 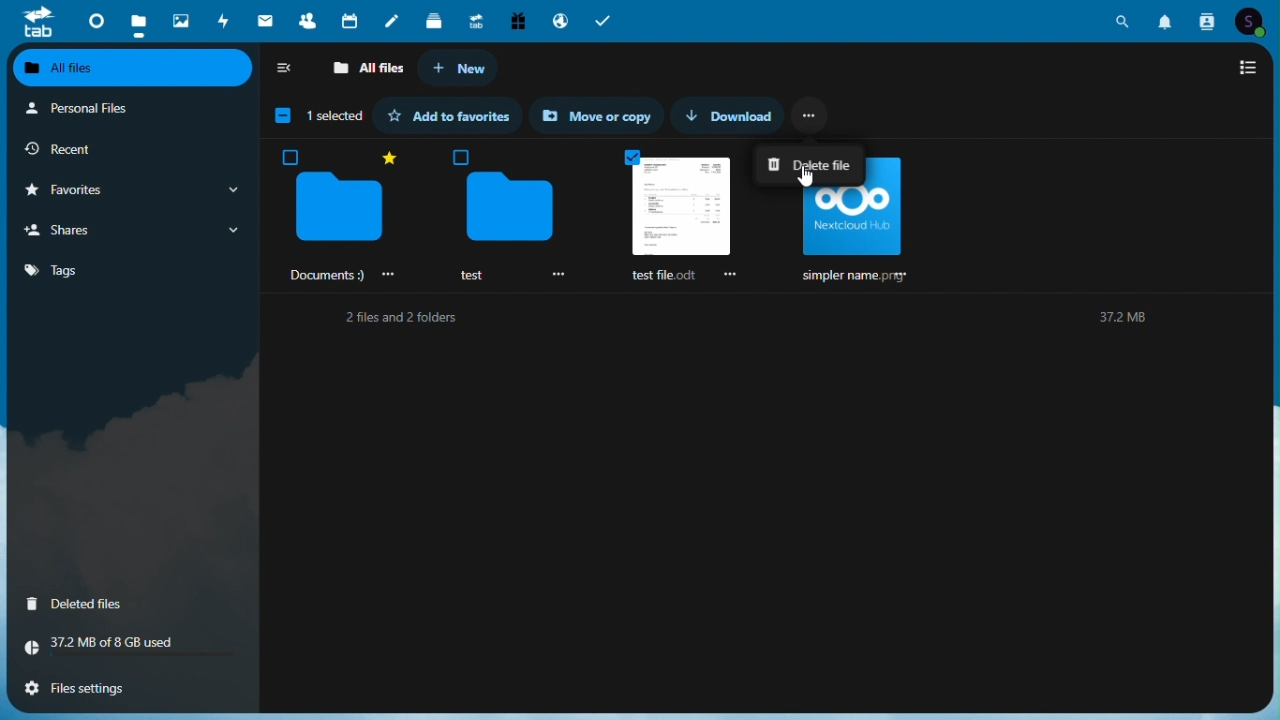 What do you see at coordinates (679, 214) in the screenshot?
I see `Selected files` at bounding box center [679, 214].